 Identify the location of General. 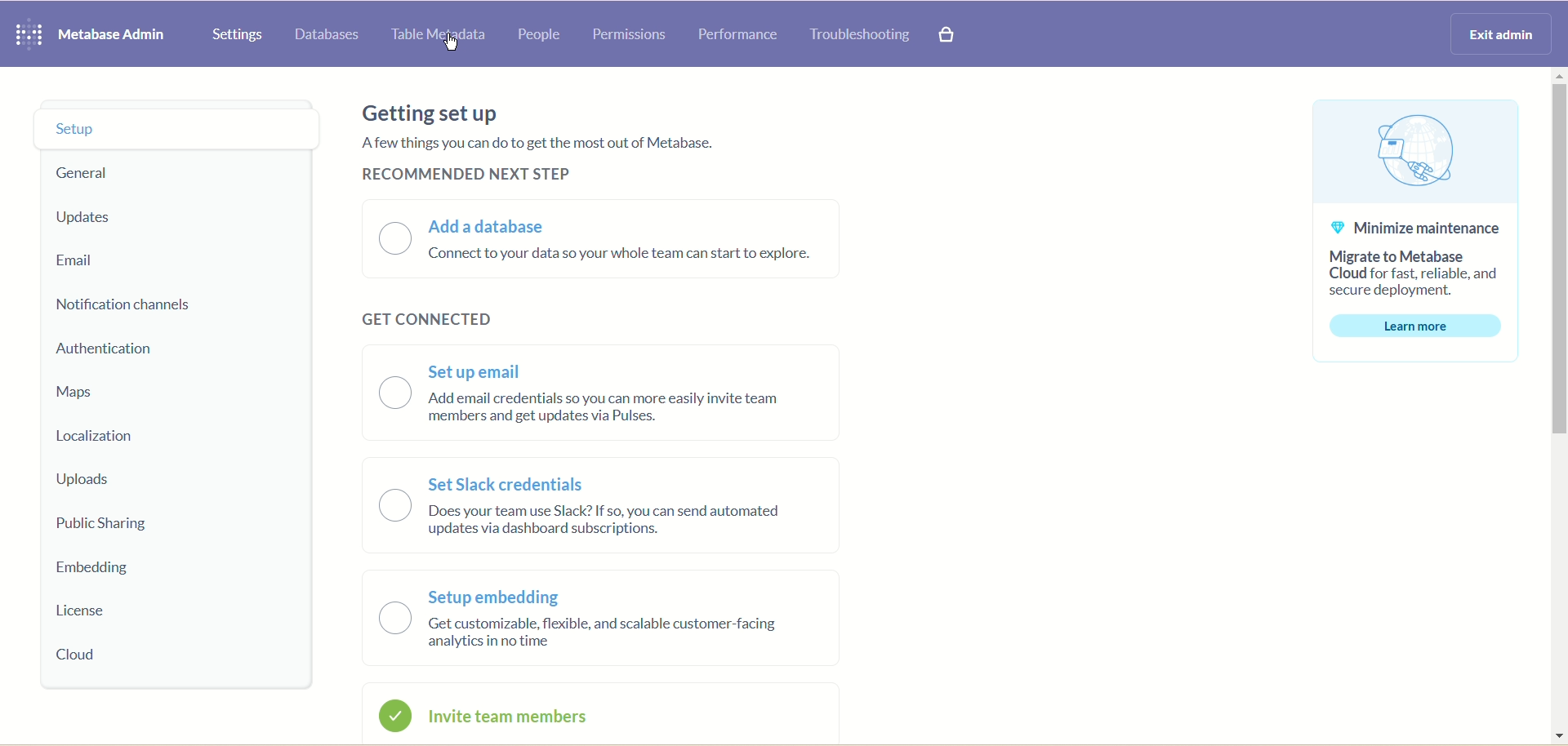
(130, 170).